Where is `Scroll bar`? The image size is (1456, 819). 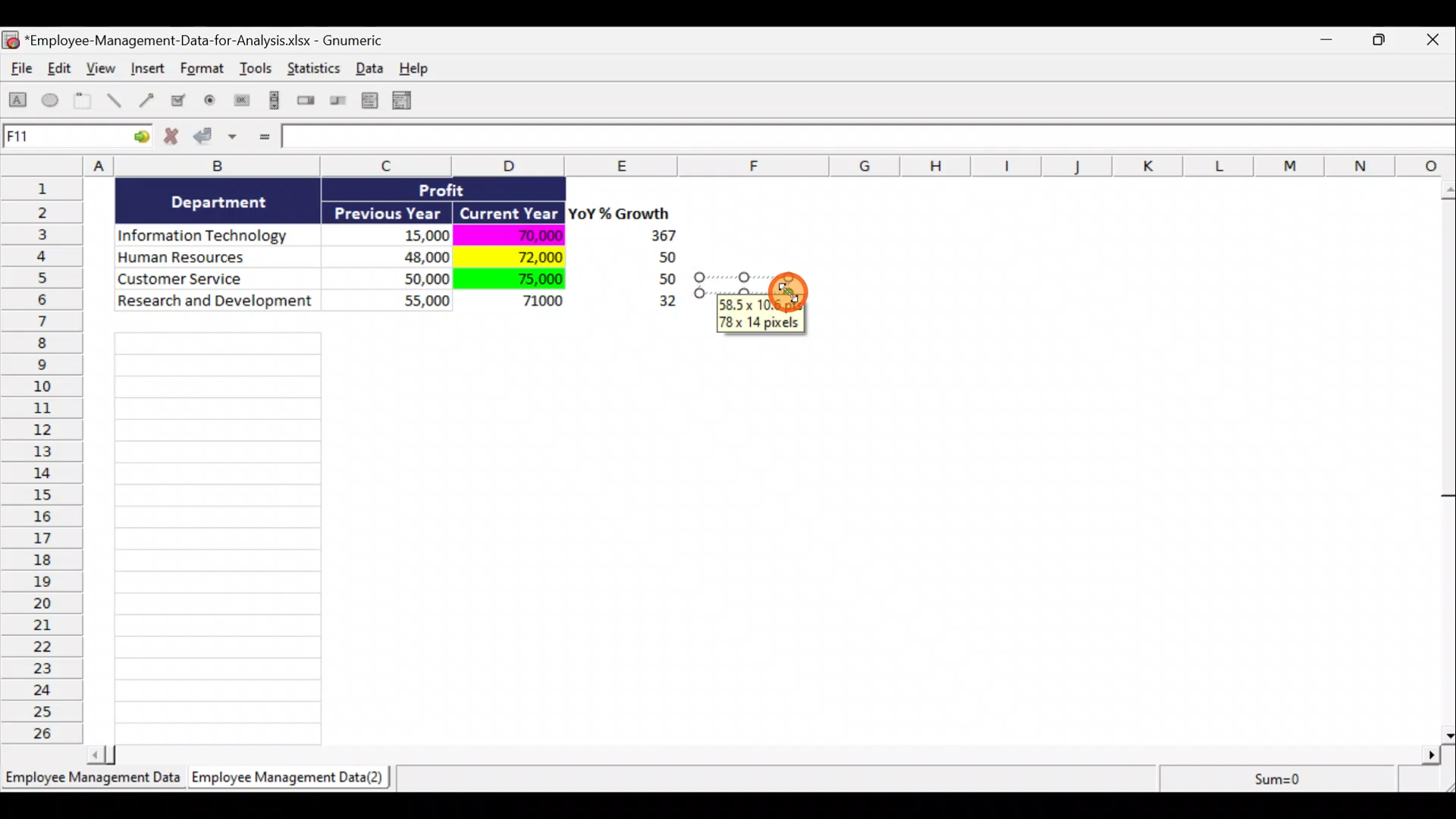
Scroll bar is located at coordinates (1446, 458).